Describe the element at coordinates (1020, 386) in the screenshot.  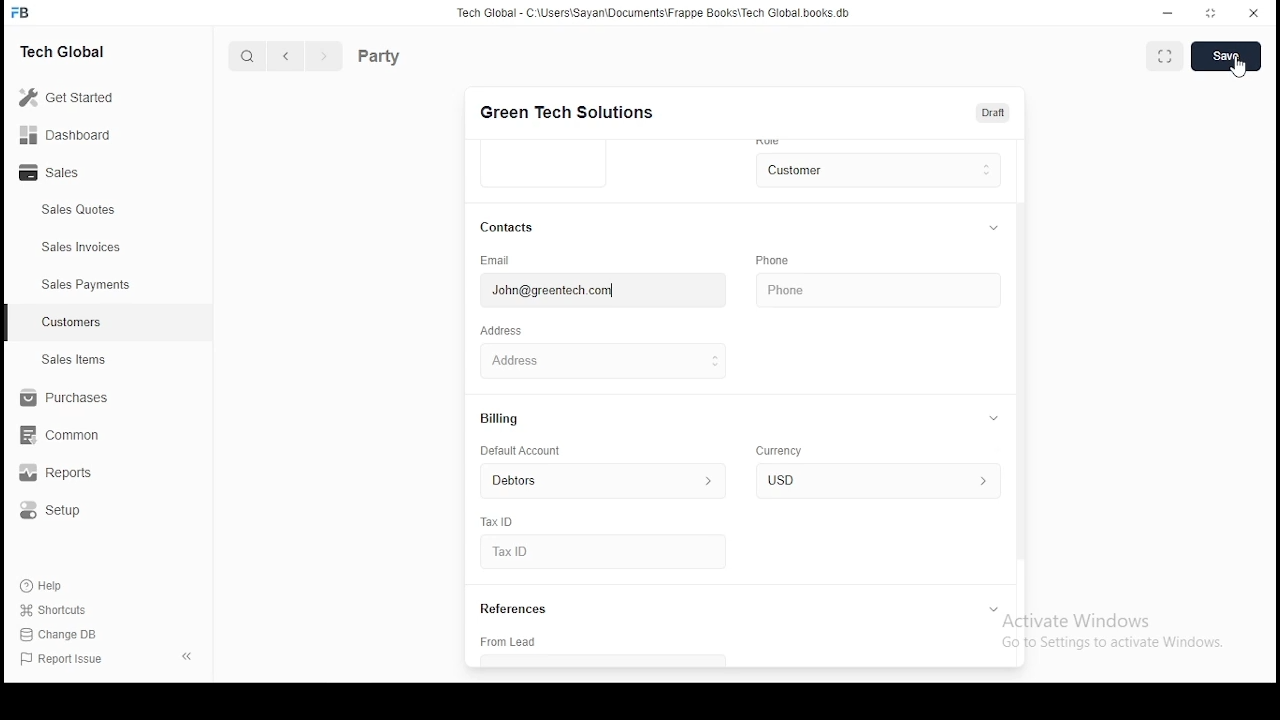
I see `vertical scroll bar` at that location.